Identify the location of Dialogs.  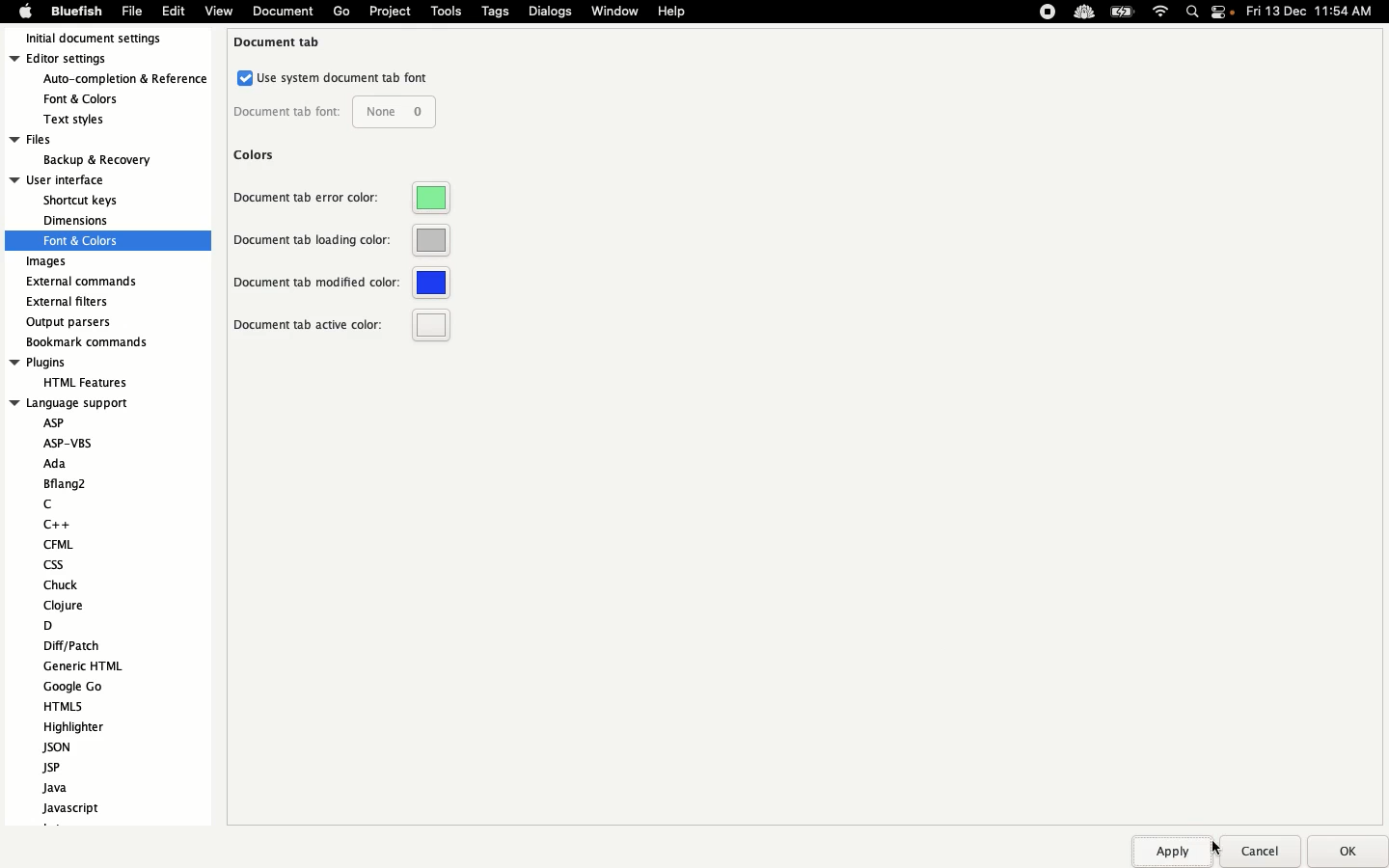
(550, 11).